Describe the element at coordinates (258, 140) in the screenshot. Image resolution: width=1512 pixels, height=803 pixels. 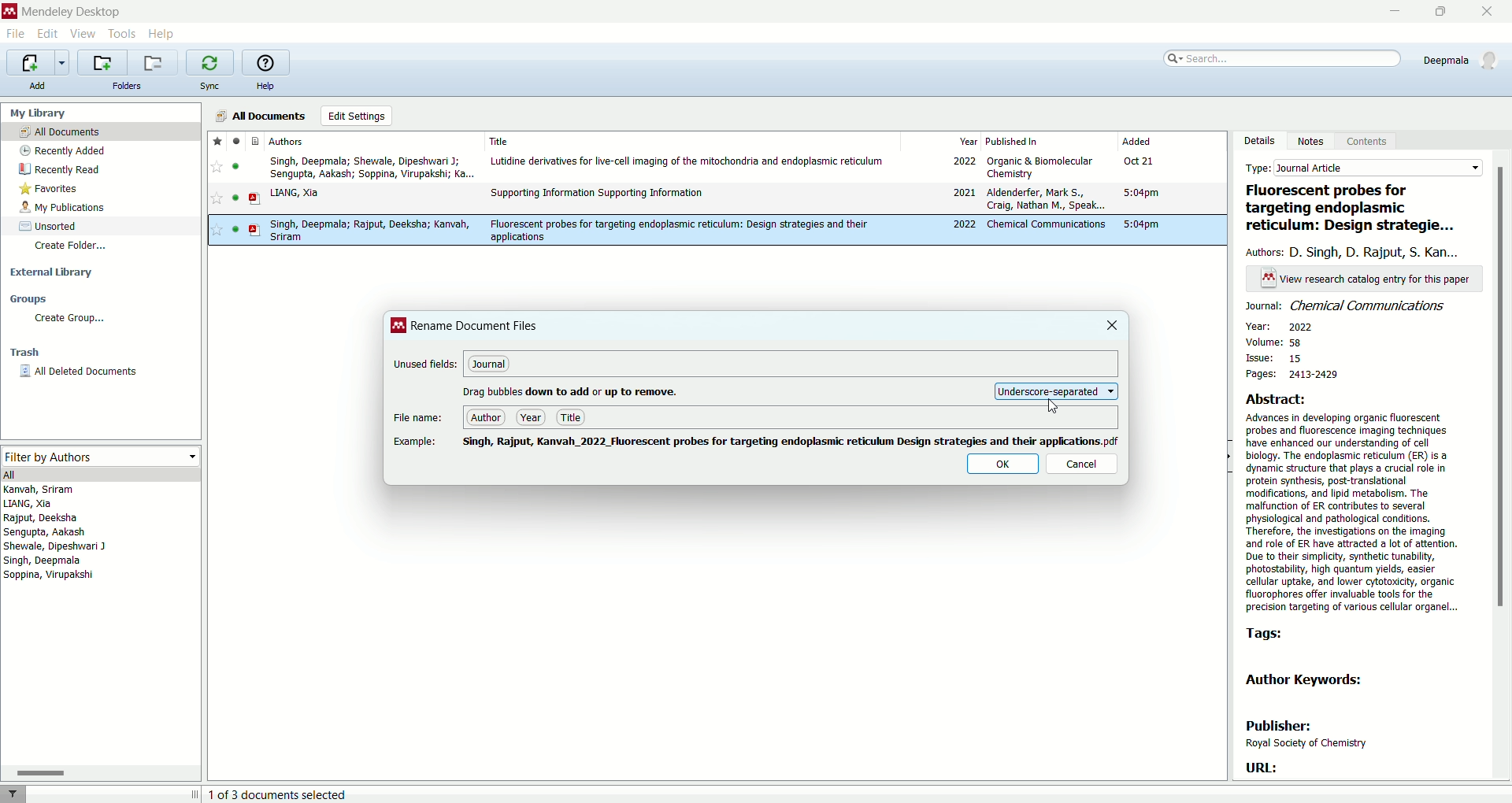
I see `document` at that location.